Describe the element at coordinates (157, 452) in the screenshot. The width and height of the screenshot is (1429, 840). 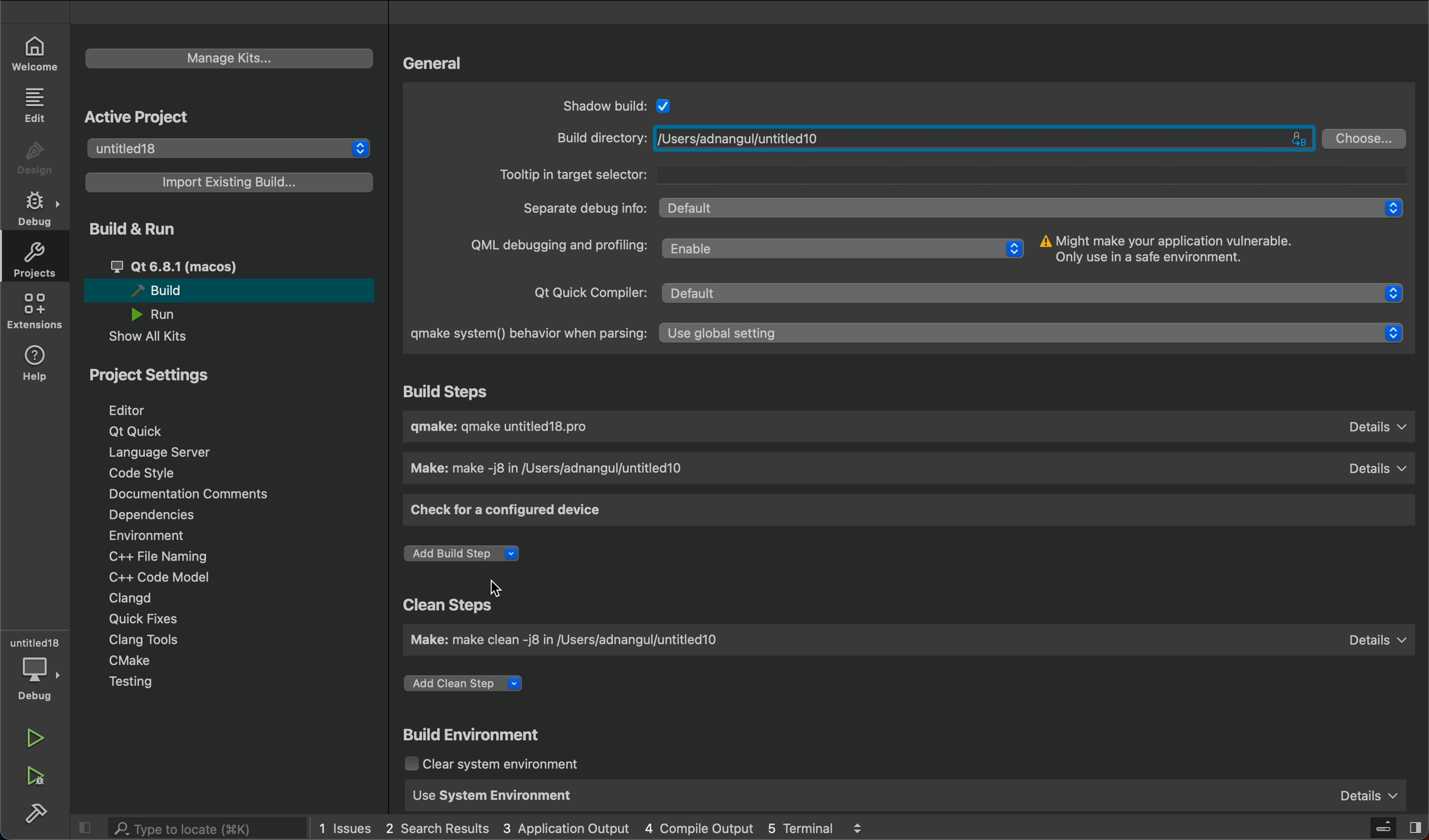
I see `Language Server` at that location.